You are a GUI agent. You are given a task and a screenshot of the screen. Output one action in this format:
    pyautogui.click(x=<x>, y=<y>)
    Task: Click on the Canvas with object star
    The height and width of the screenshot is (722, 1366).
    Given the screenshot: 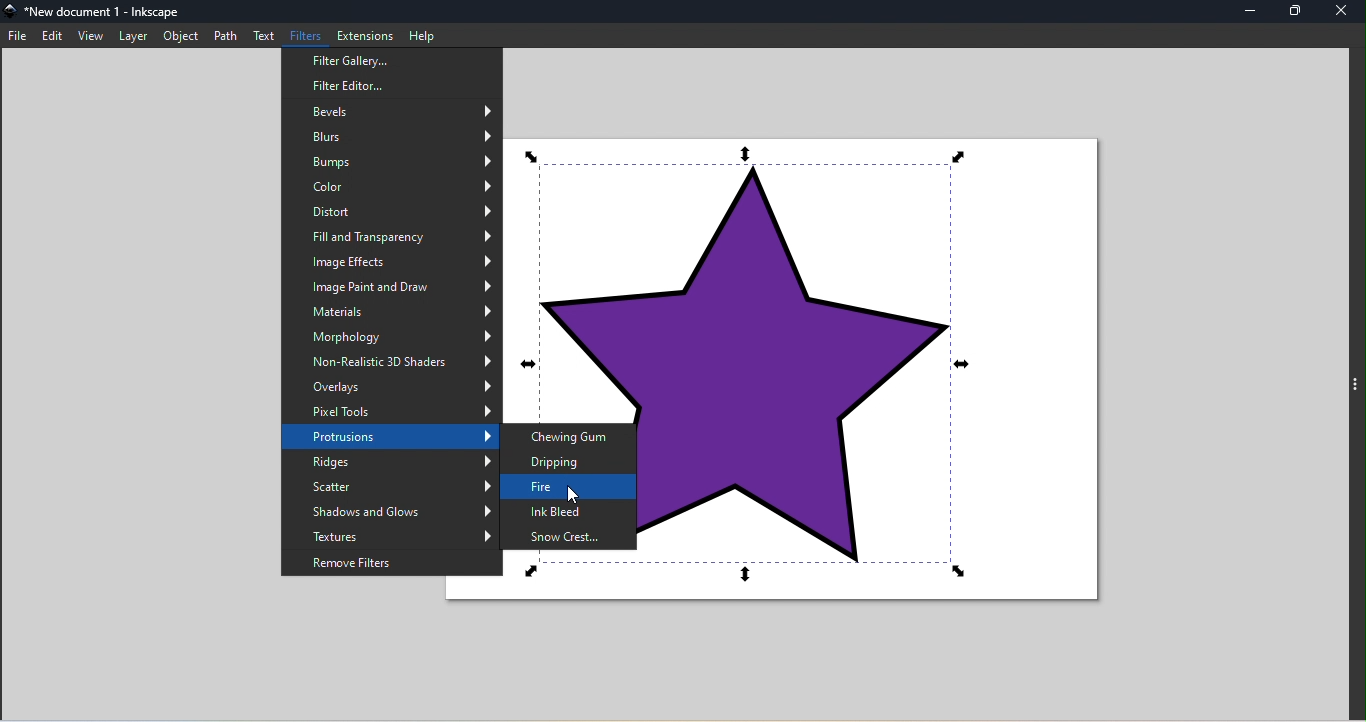 What is the action you would take?
    pyautogui.click(x=873, y=369)
    